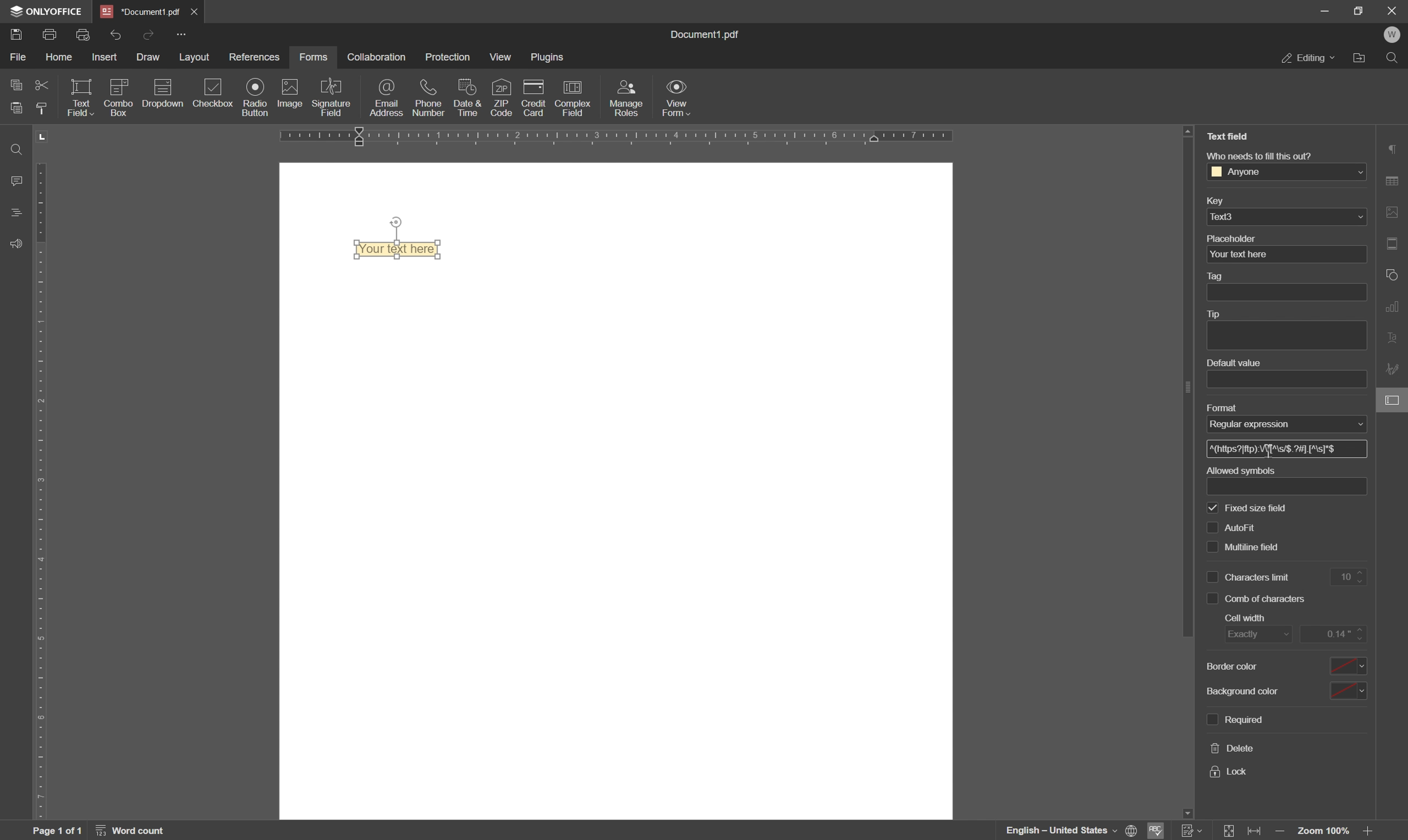 The height and width of the screenshot is (840, 1408). What do you see at coordinates (1248, 618) in the screenshot?
I see `cell width` at bounding box center [1248, 618].